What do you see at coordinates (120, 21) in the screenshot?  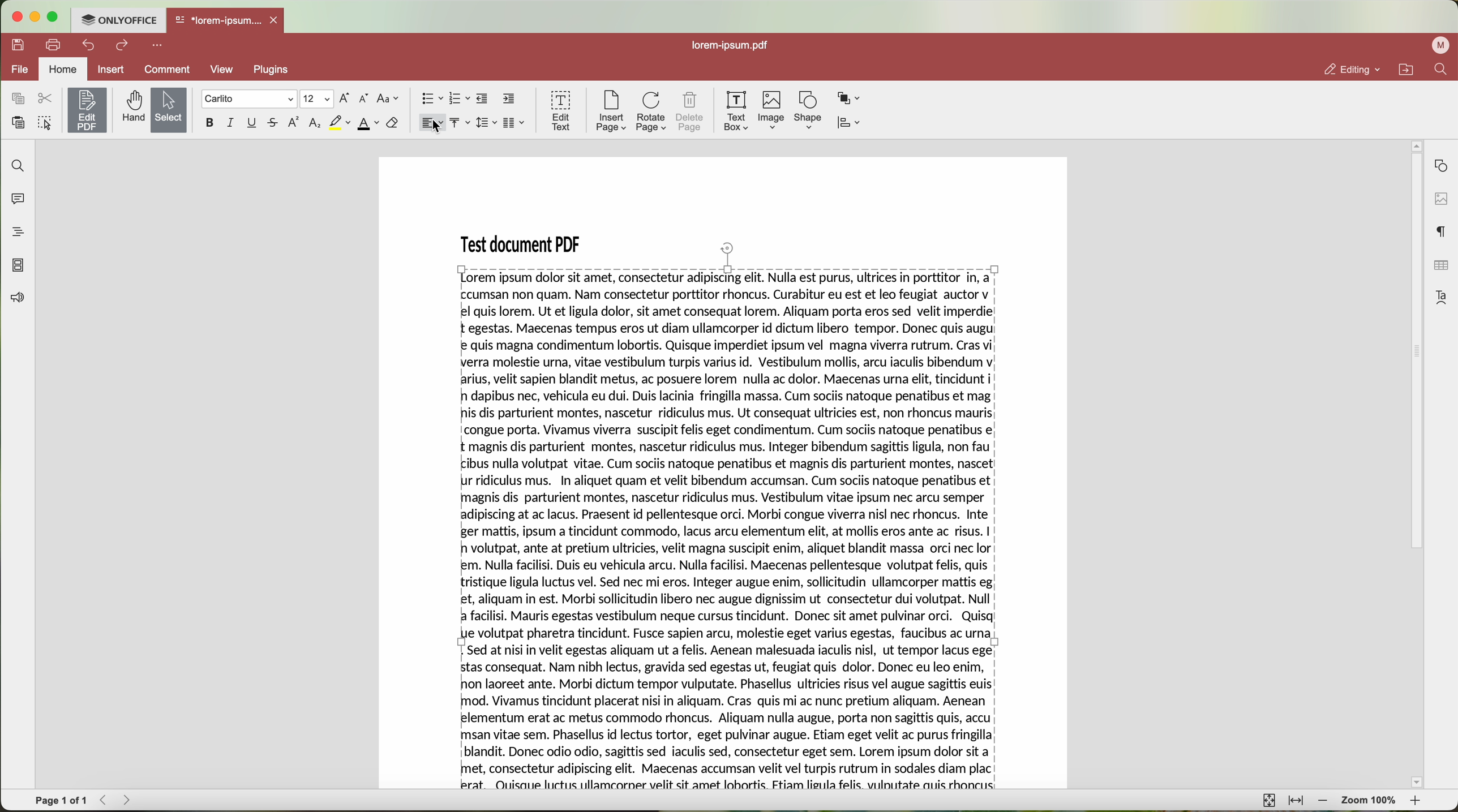 I see `ONLYOFFICE` at bounding box center [120, 21].